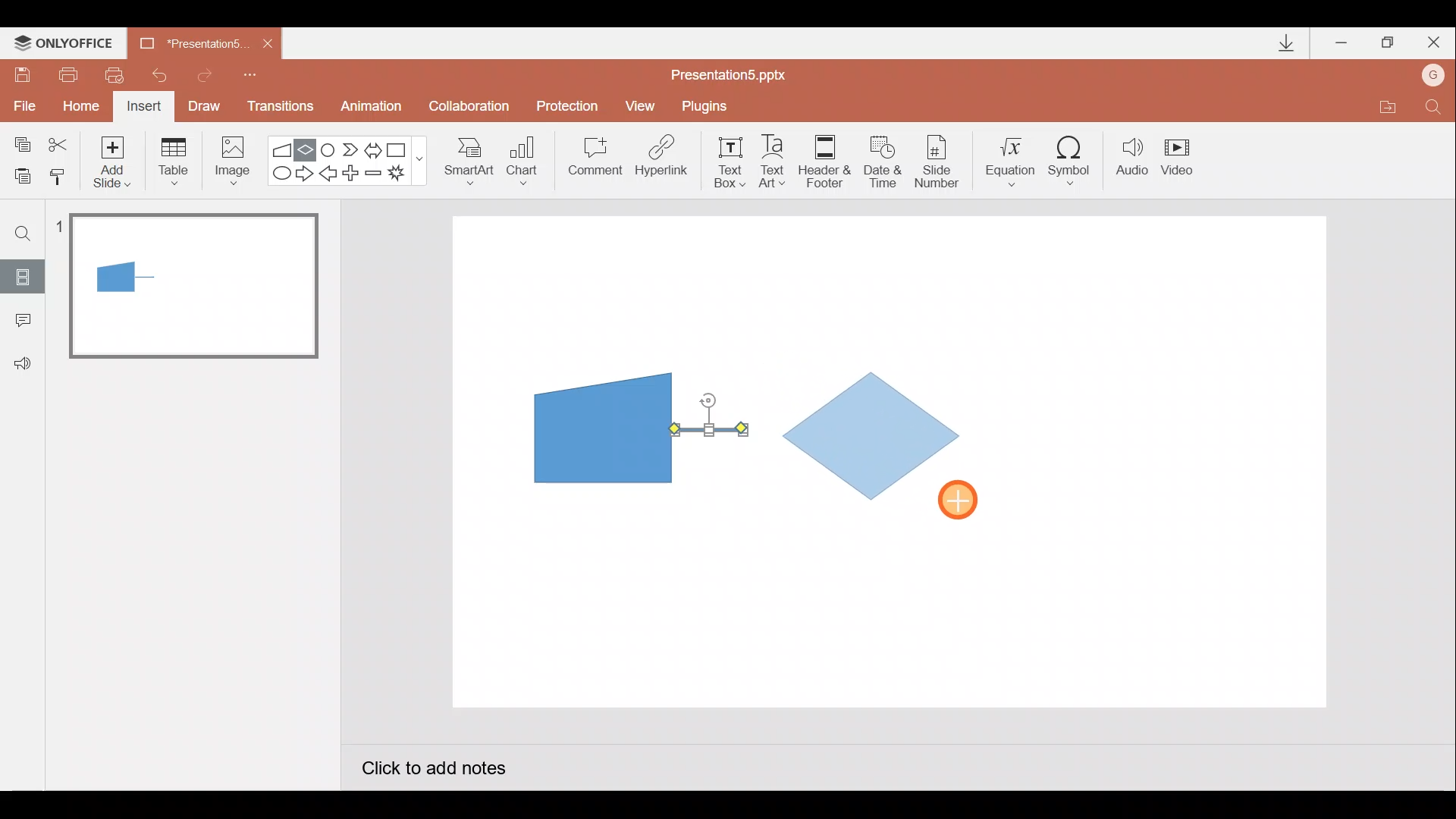  Describe the element at coordinates (739, 71) in the screenshot. I see `Presentation5.pptx` at that location.